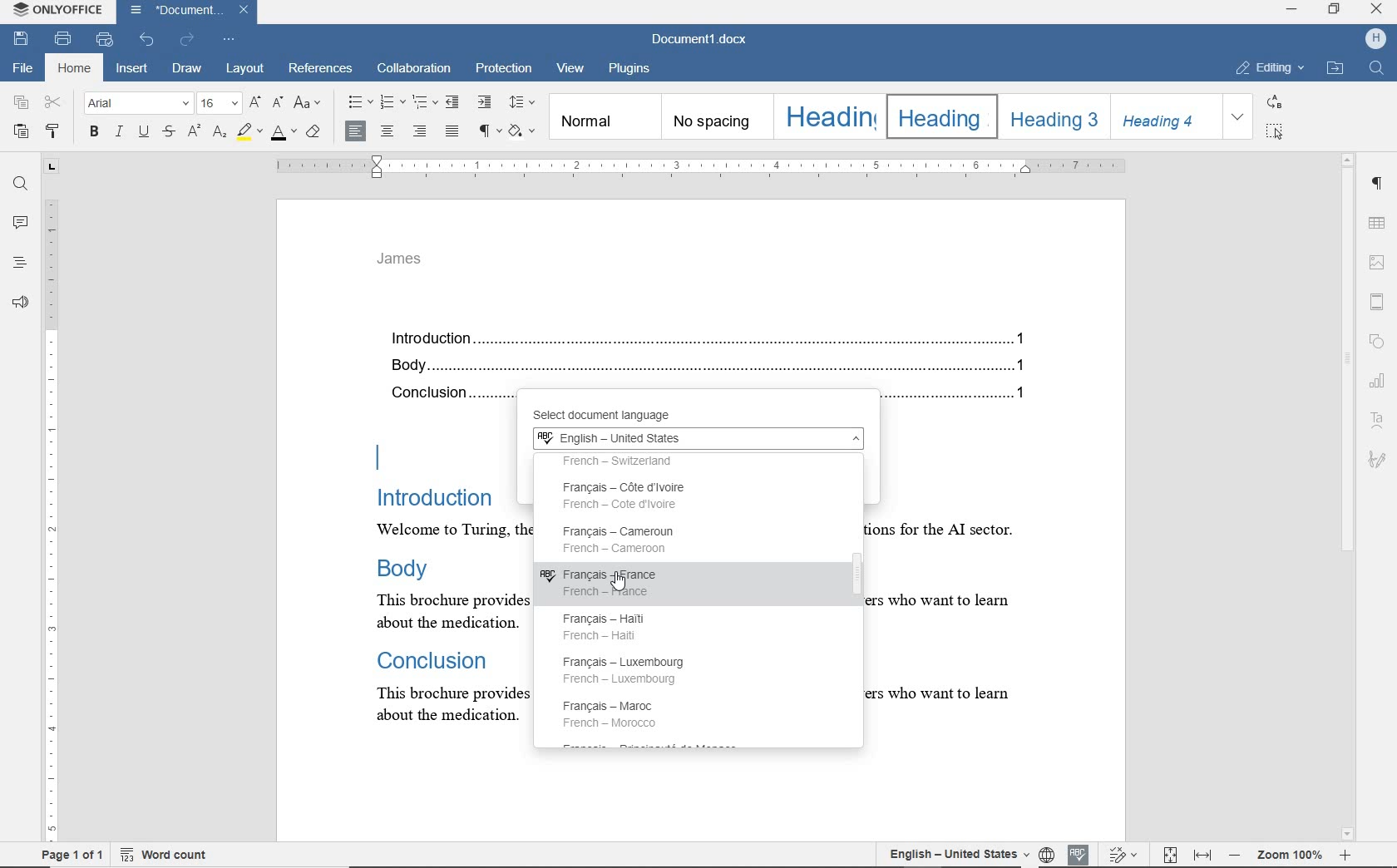 This screenshot has height=868, width=1397. Describe the element at coordinates (1276, 131) in the screenshot. I see `SELECT ALL` at that location.